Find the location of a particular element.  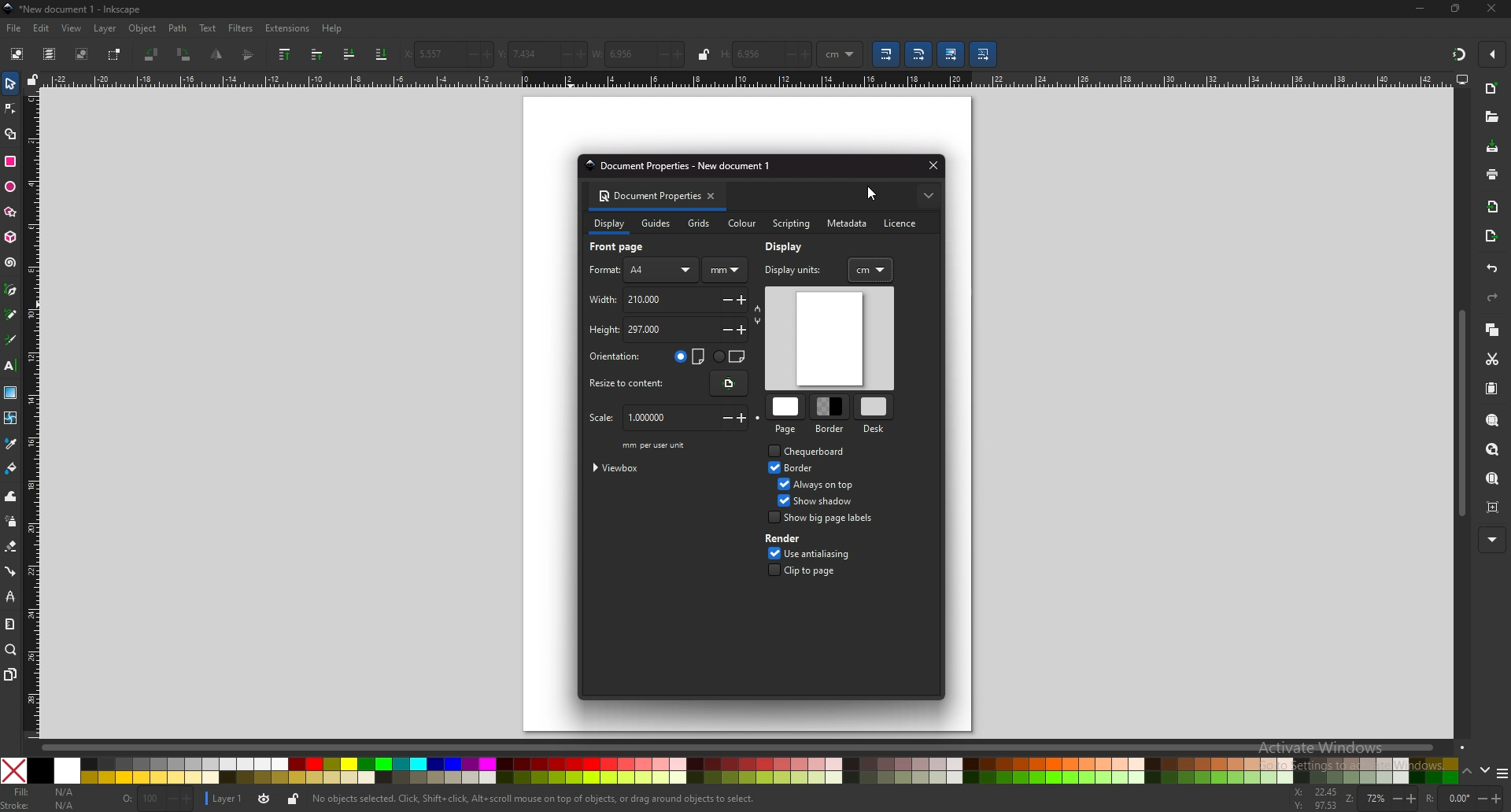

Checkbox is located at coordinates (772, 518).